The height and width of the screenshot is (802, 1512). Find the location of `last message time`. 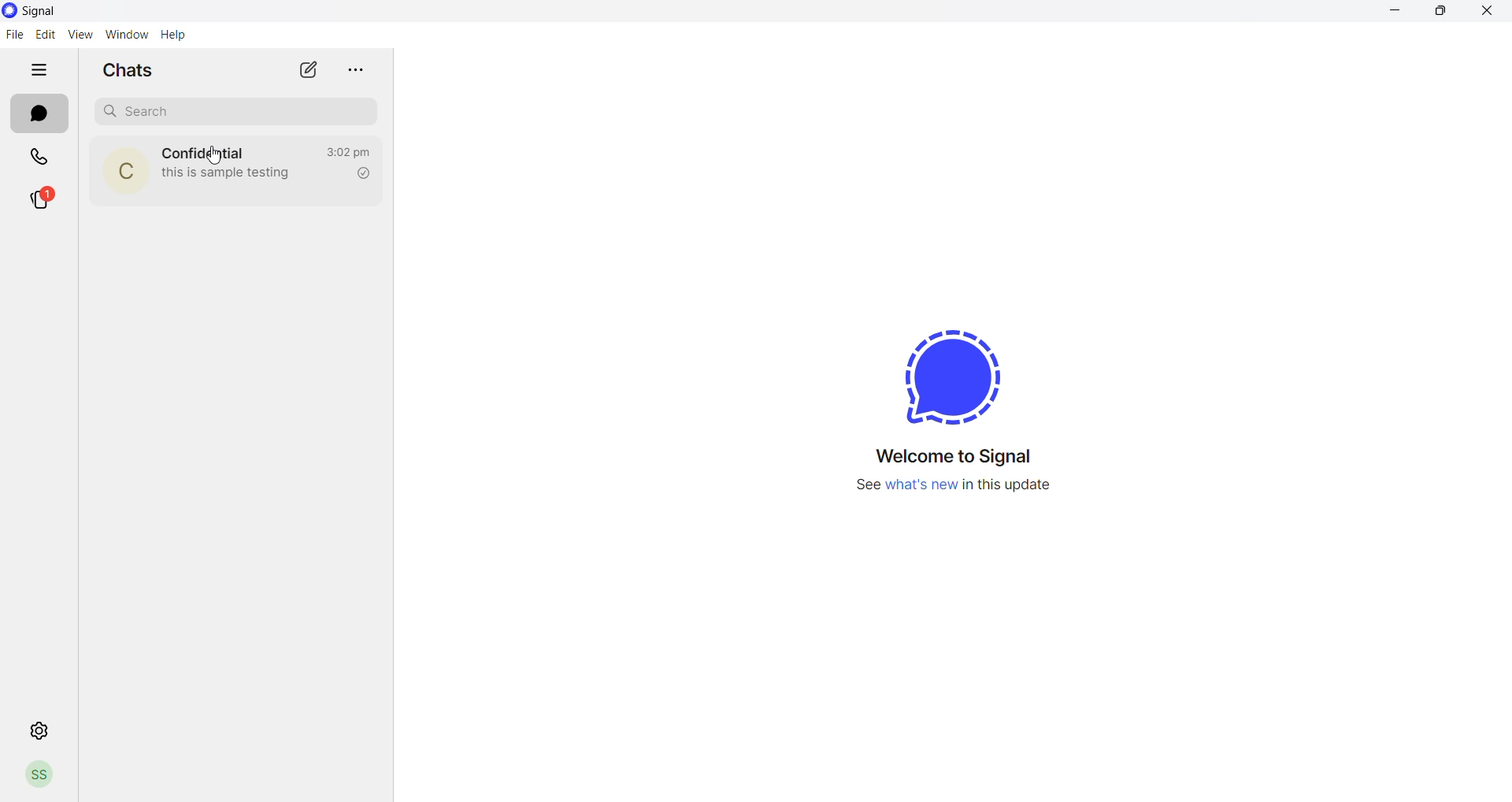

last message time is located at coordinates (350, 150).